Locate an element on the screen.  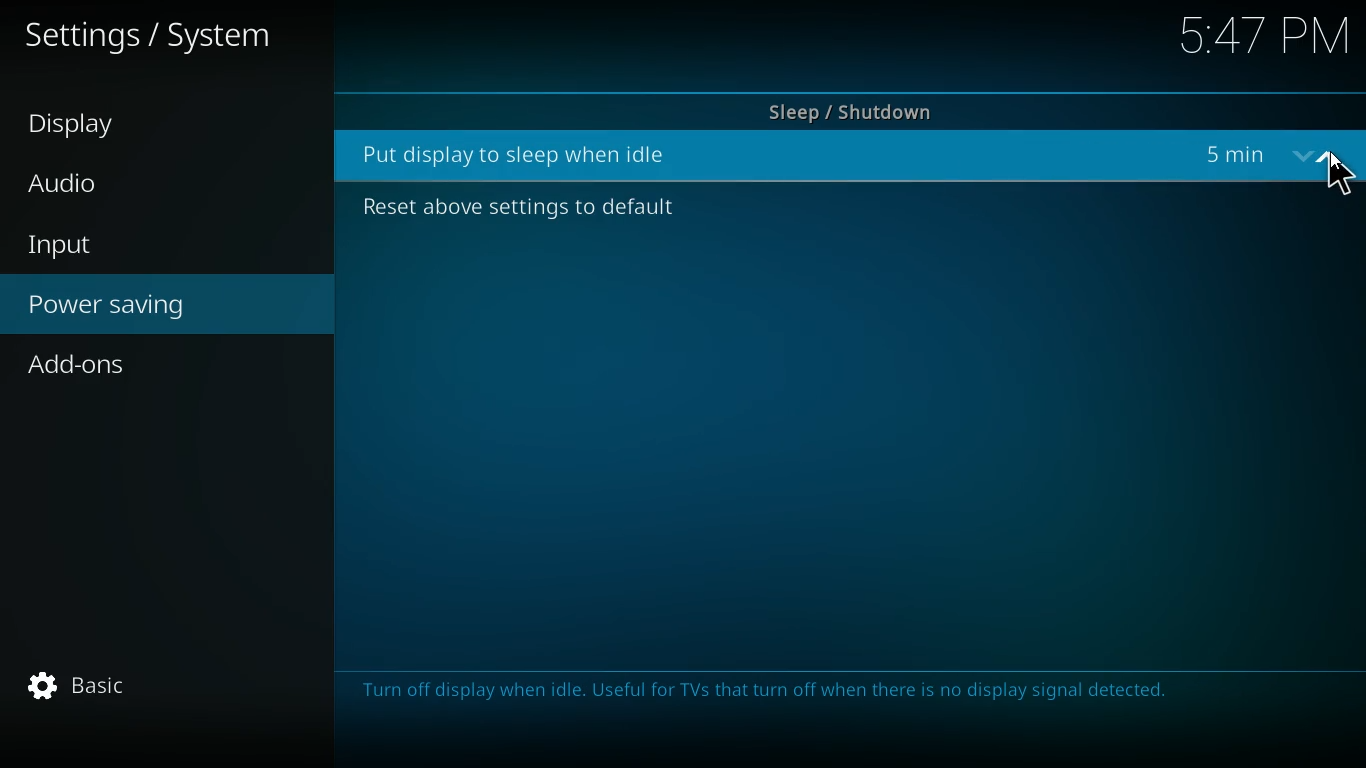
input is located at coordinates (139, 245).